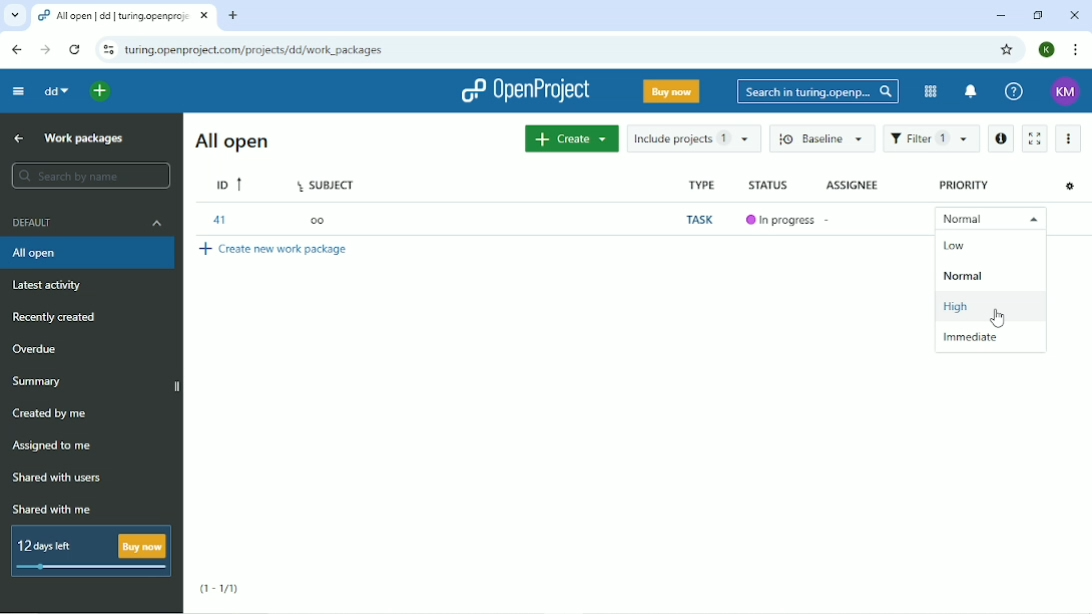 This screenshot has height=614, width=1092. What do you see at coordinates (1066, 92) in the screenshot?
I see `KM` at bounding box center [1066, 92].